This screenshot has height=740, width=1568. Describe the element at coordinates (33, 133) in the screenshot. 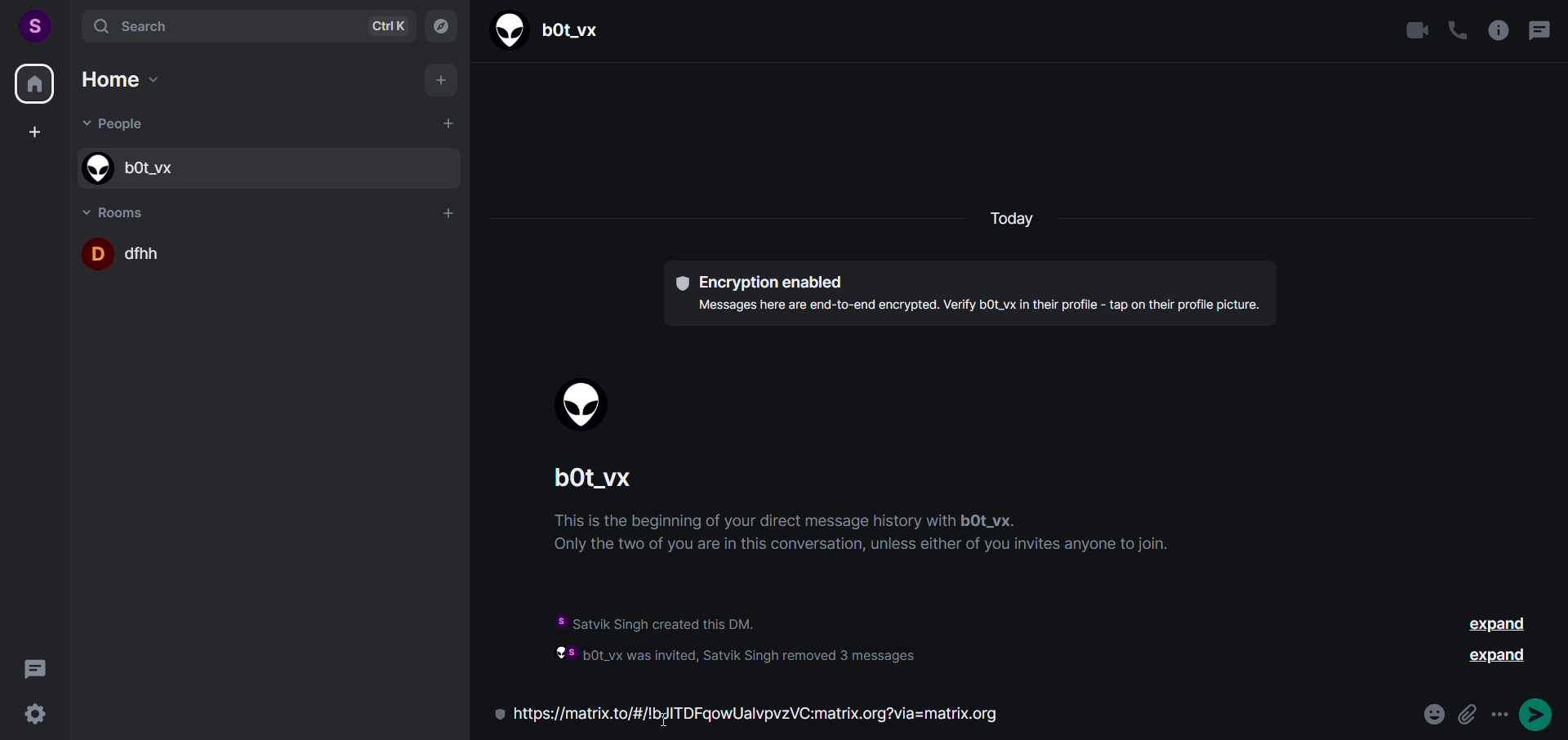

I see `create space` at that location.